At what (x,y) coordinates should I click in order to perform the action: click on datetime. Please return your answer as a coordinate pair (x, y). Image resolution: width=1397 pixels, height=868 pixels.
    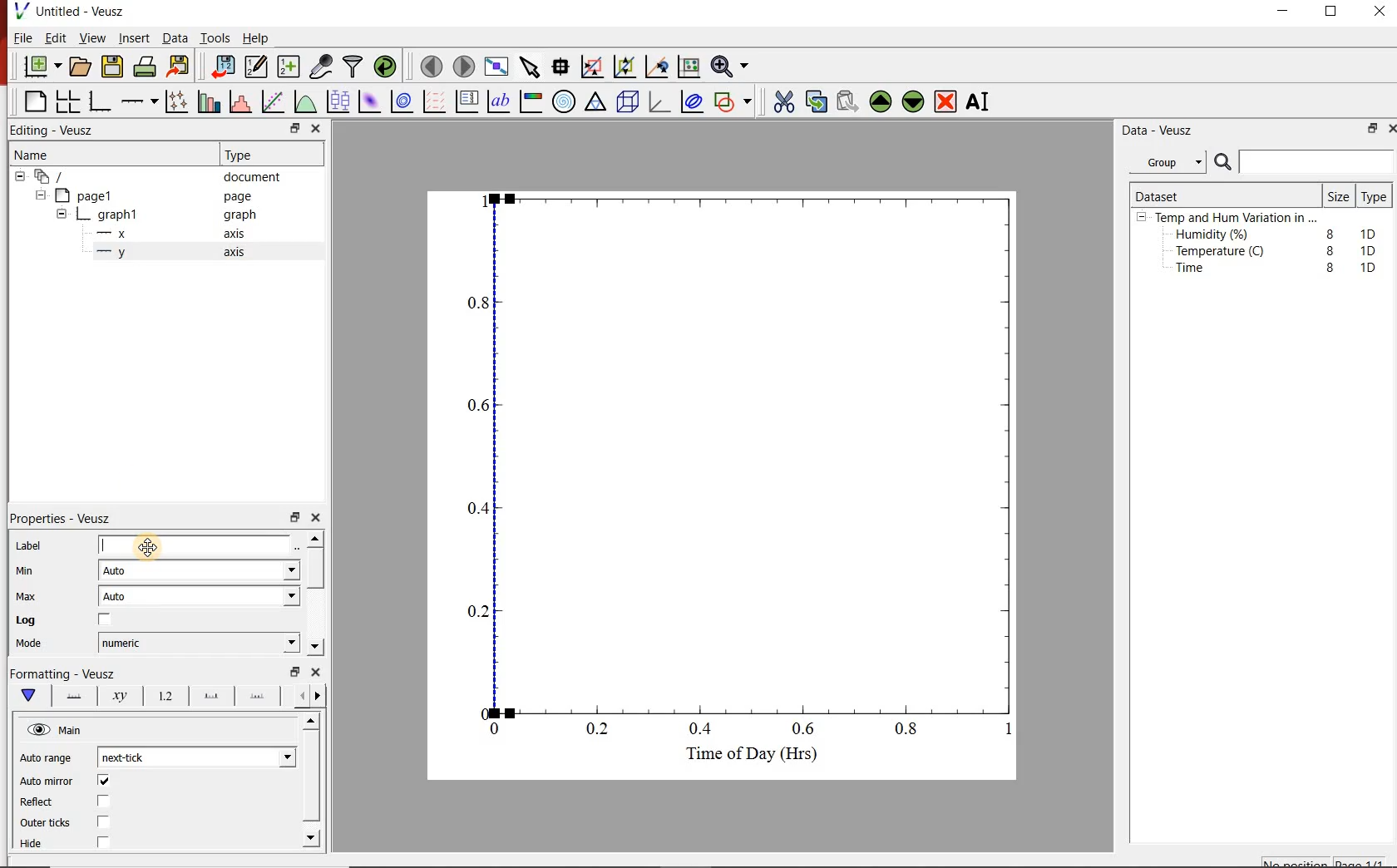
    Looking at the image, I should click on (127, 643).